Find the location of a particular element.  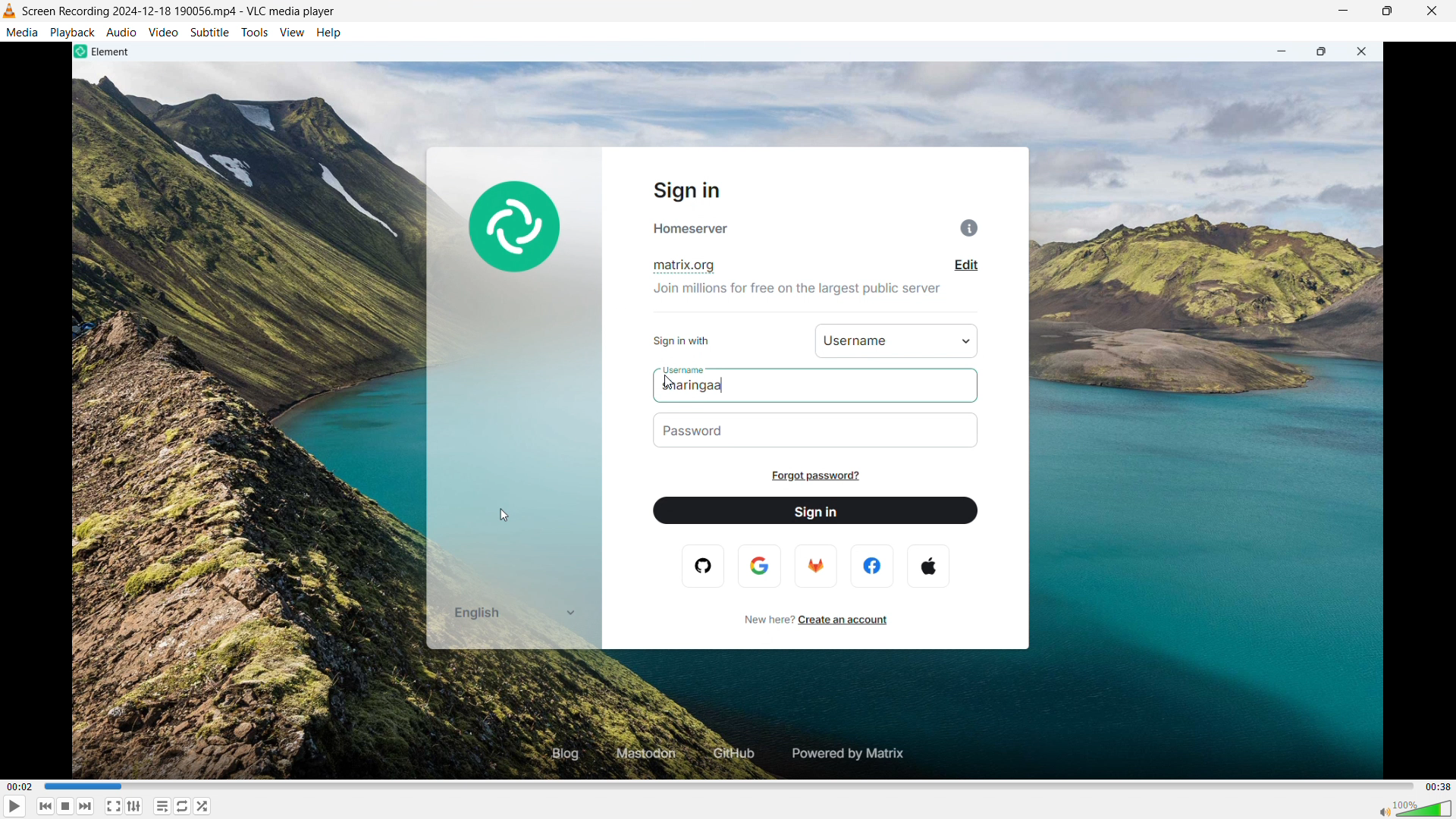

playback is located at coordinates (73, 33).